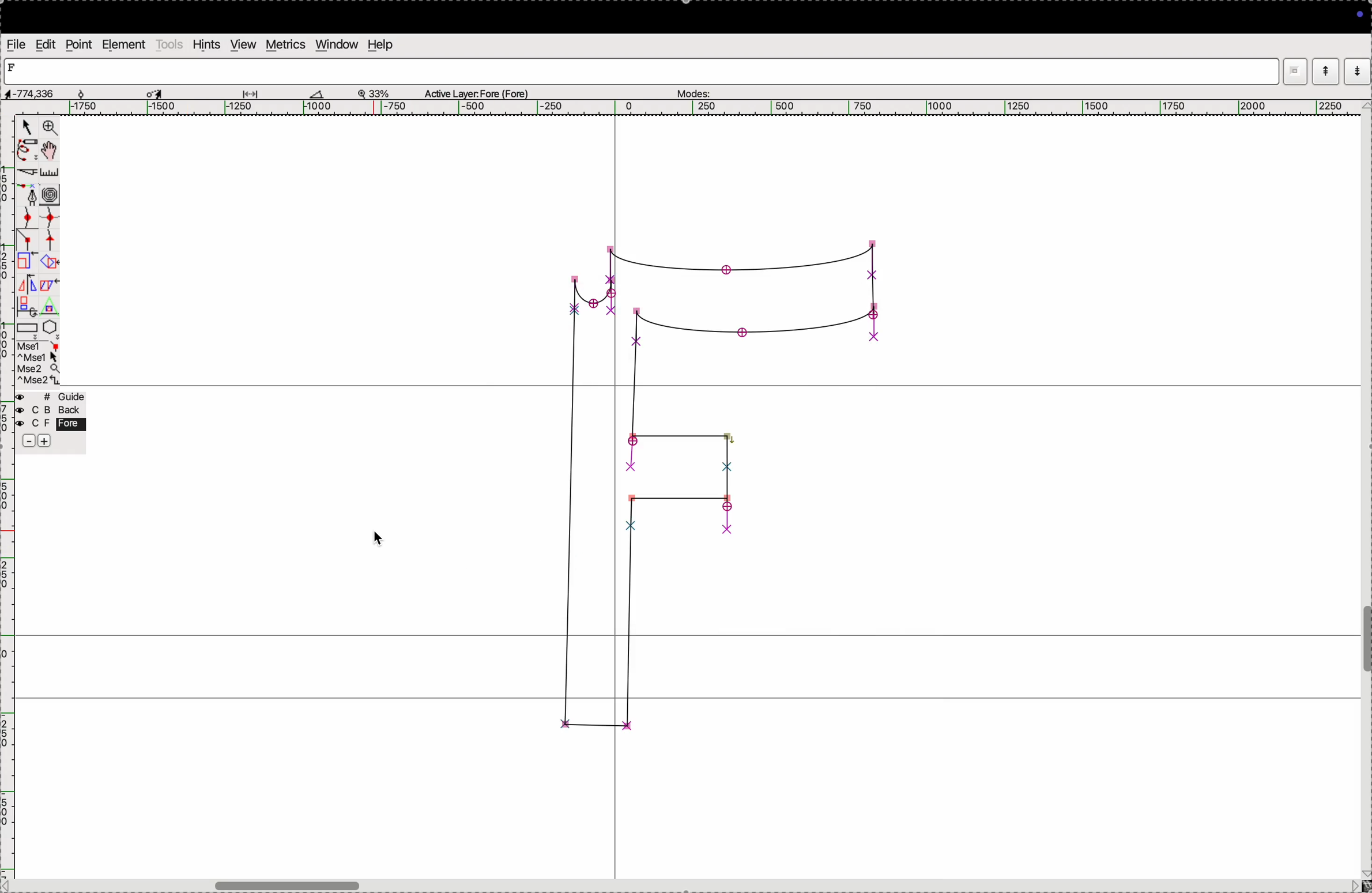  What do you see at coordinates (715, 484) in the screenshot?
I see `glyph F` at bounding box center [715, 484].